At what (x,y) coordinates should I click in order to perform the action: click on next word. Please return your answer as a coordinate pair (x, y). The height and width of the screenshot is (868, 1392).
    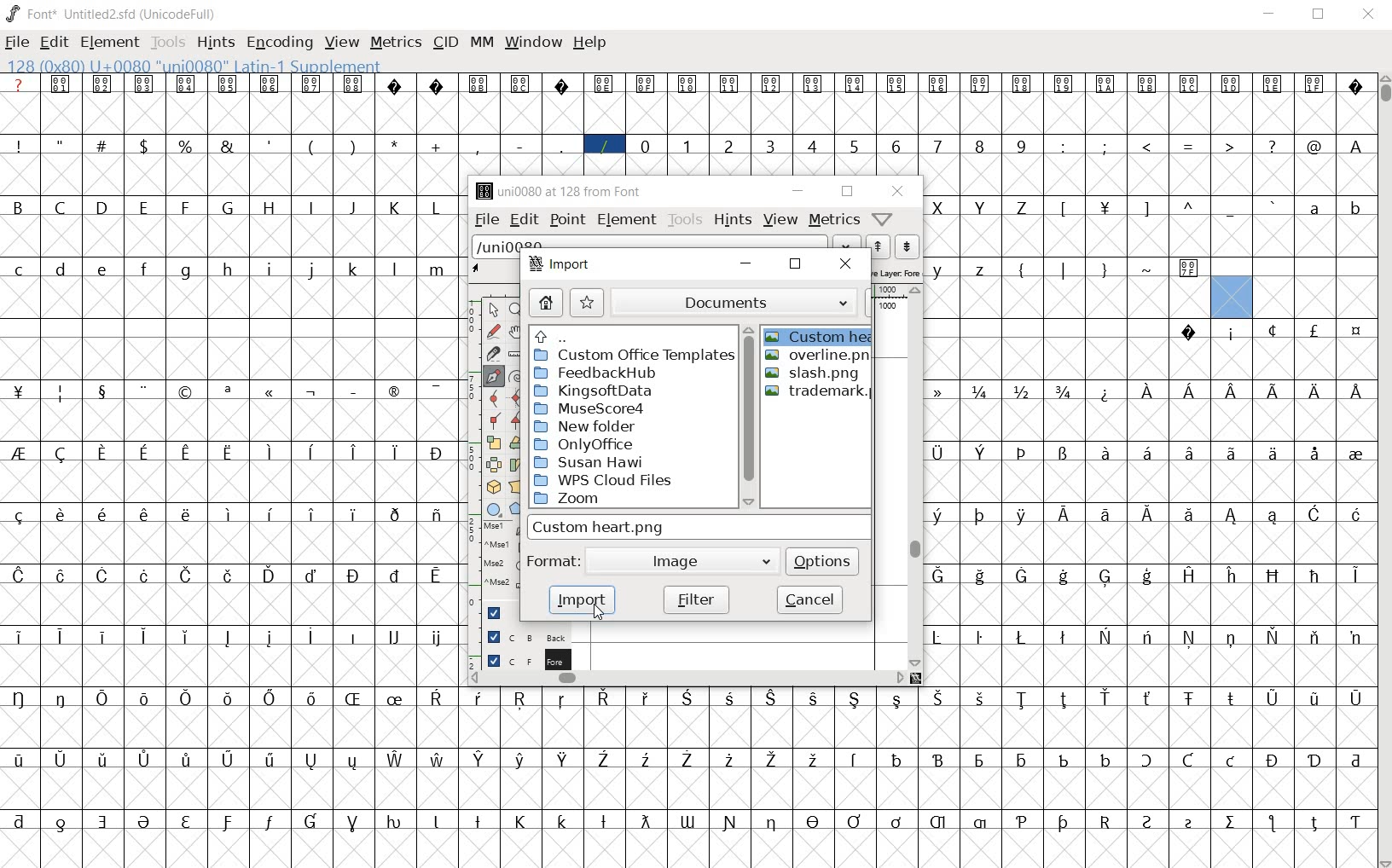
    Looking at the image, I should click on (907, 247).